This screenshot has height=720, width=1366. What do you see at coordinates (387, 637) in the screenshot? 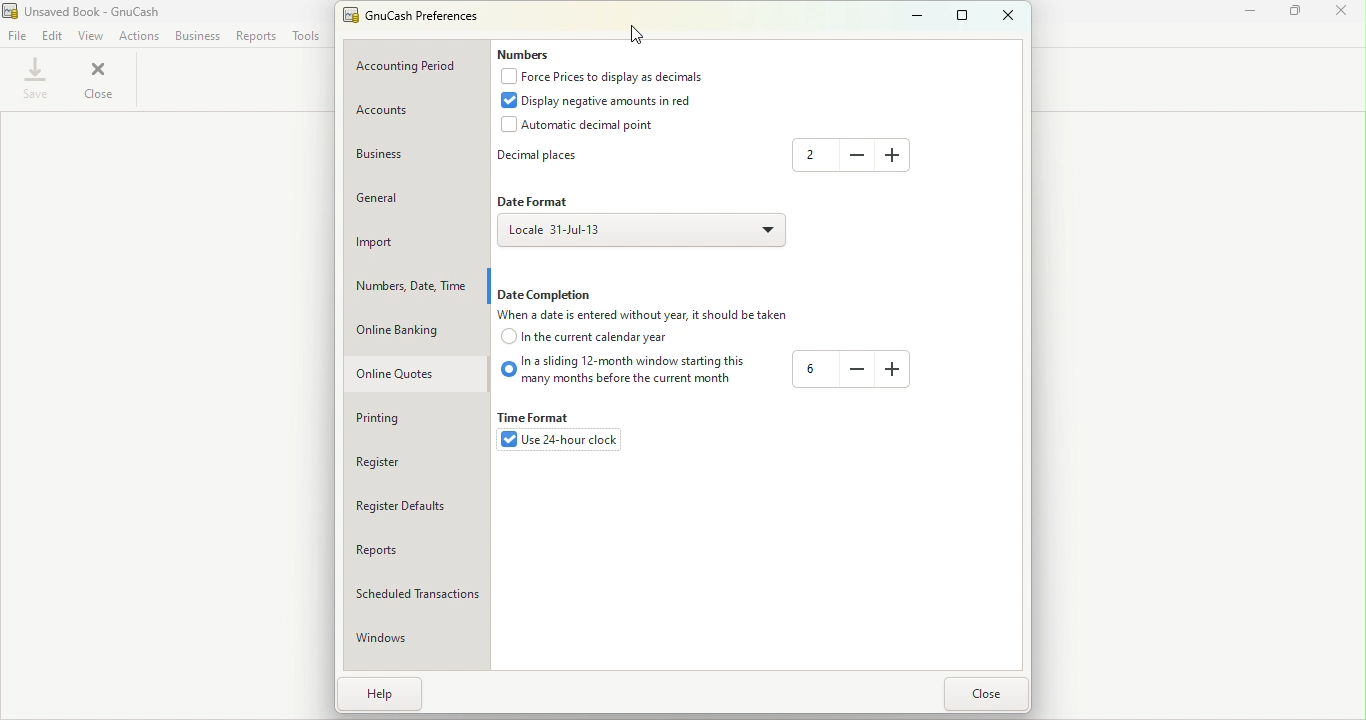
I see `Windows` at bounding box center [387, 637].